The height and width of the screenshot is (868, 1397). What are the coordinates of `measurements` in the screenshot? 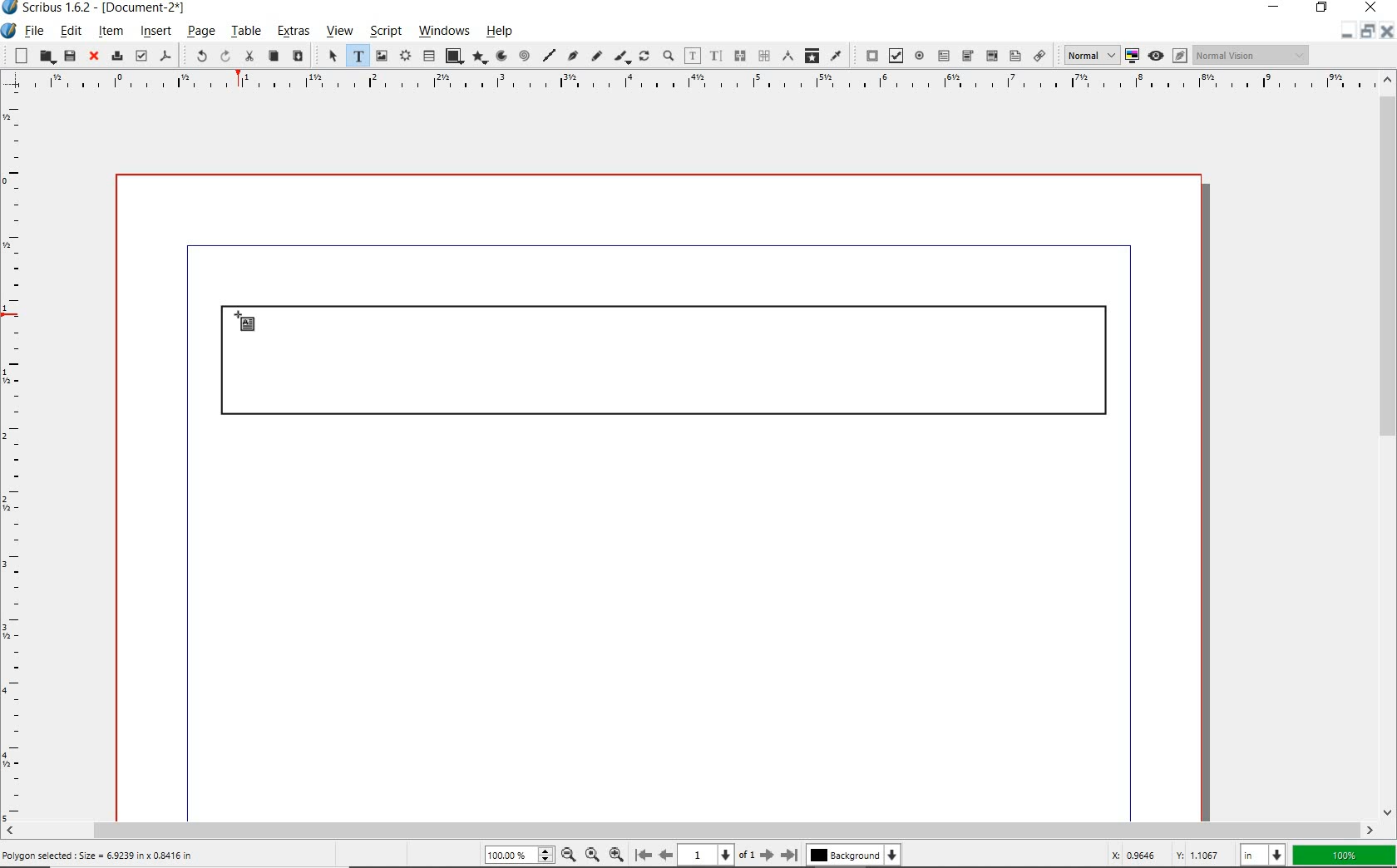 It's located at (763, 57).